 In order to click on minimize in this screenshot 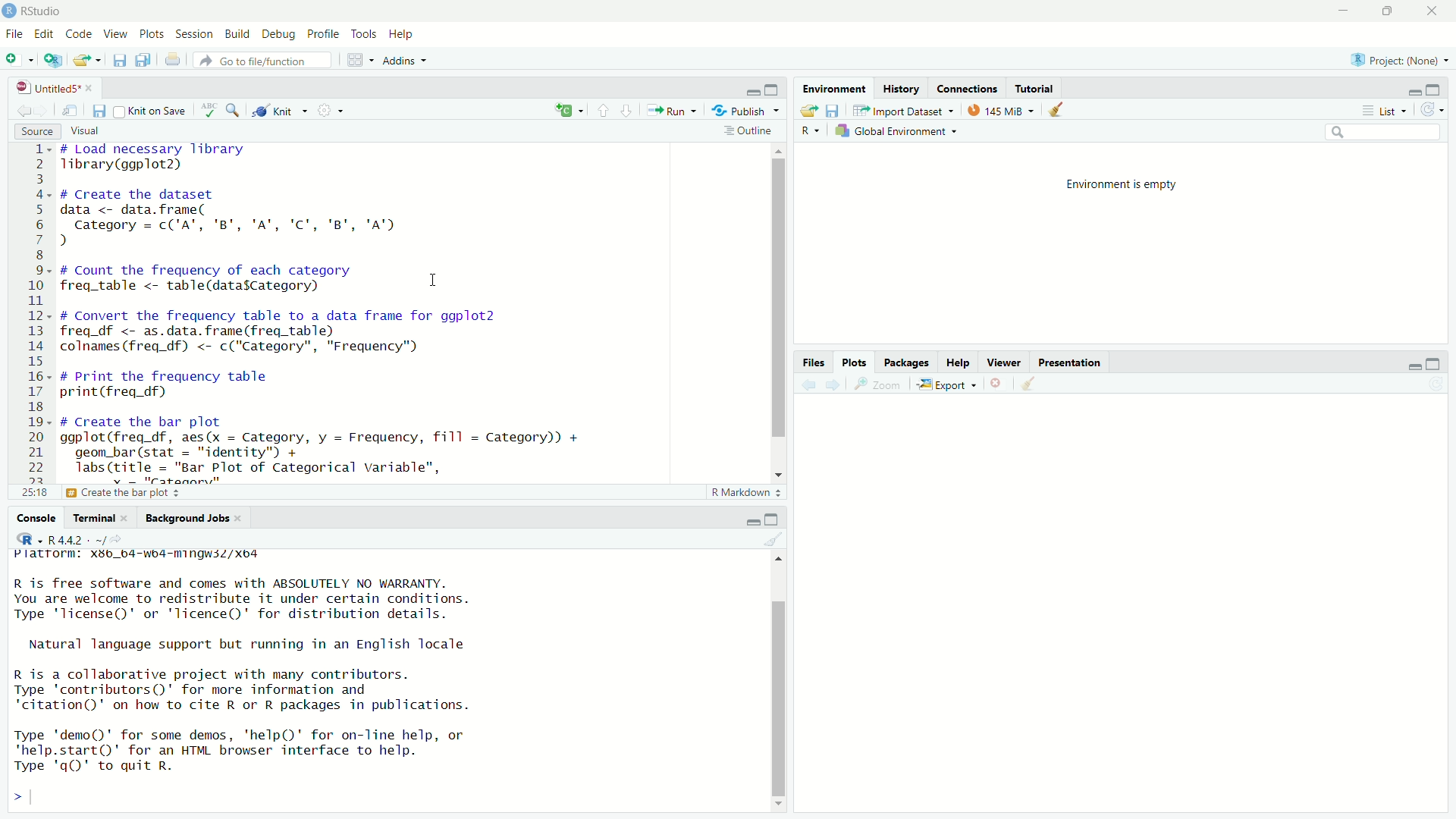, I will do `click(754, 93)`.